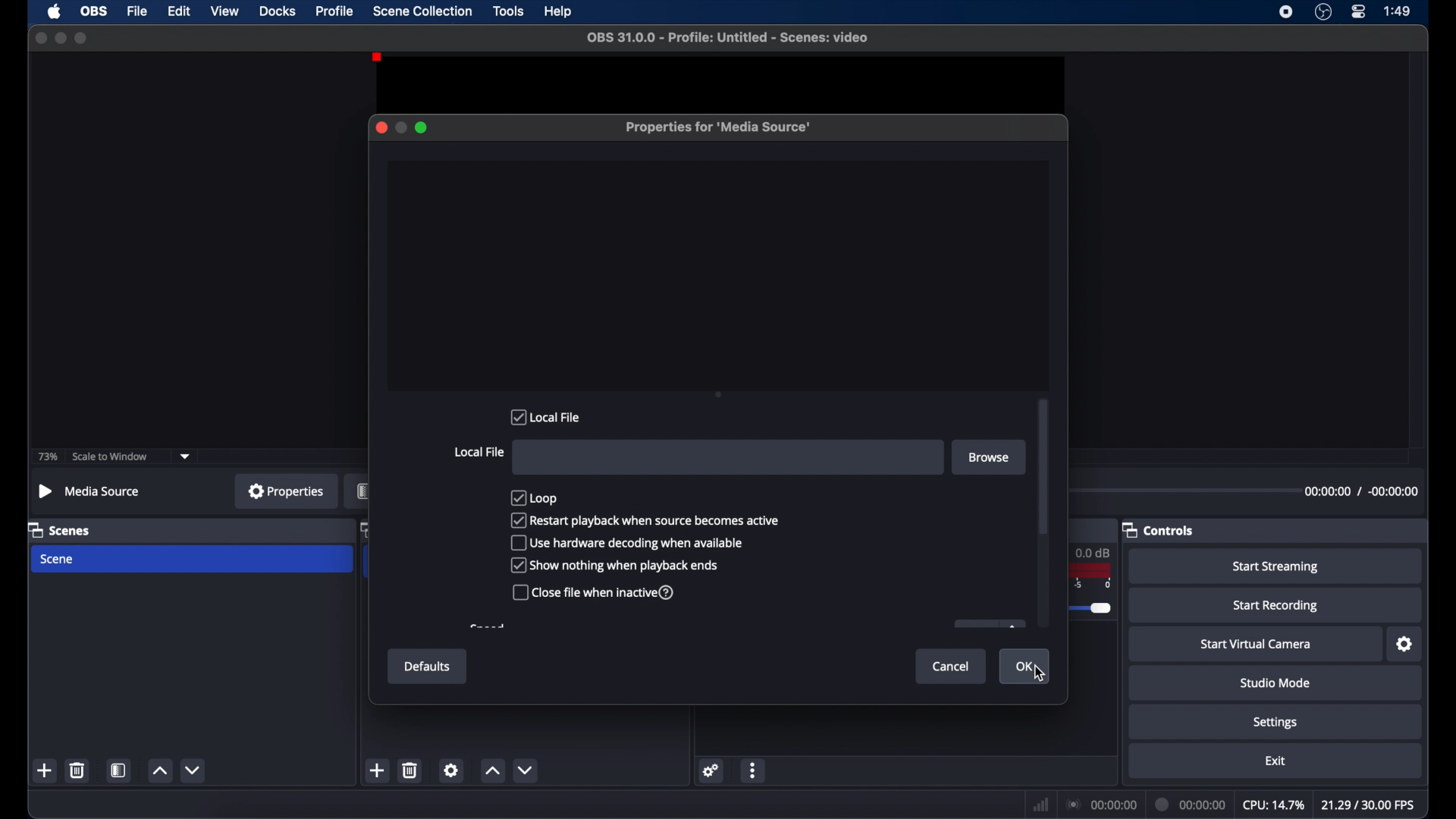  I want to click on checkbox, so click(628, 543).